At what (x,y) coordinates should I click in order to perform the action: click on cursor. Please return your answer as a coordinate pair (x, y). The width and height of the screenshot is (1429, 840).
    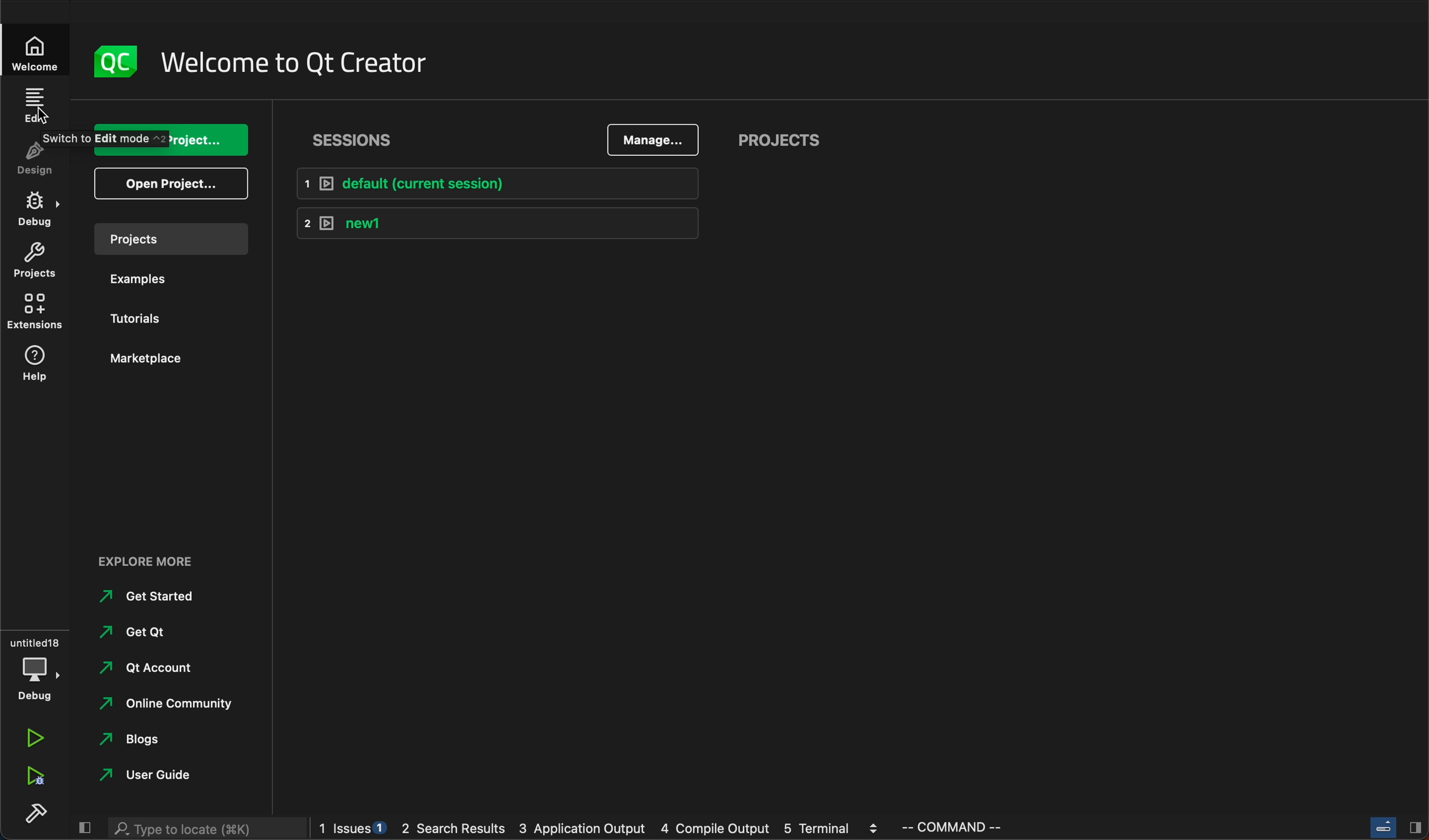
    Looking at the image, I should click on (40, 114).